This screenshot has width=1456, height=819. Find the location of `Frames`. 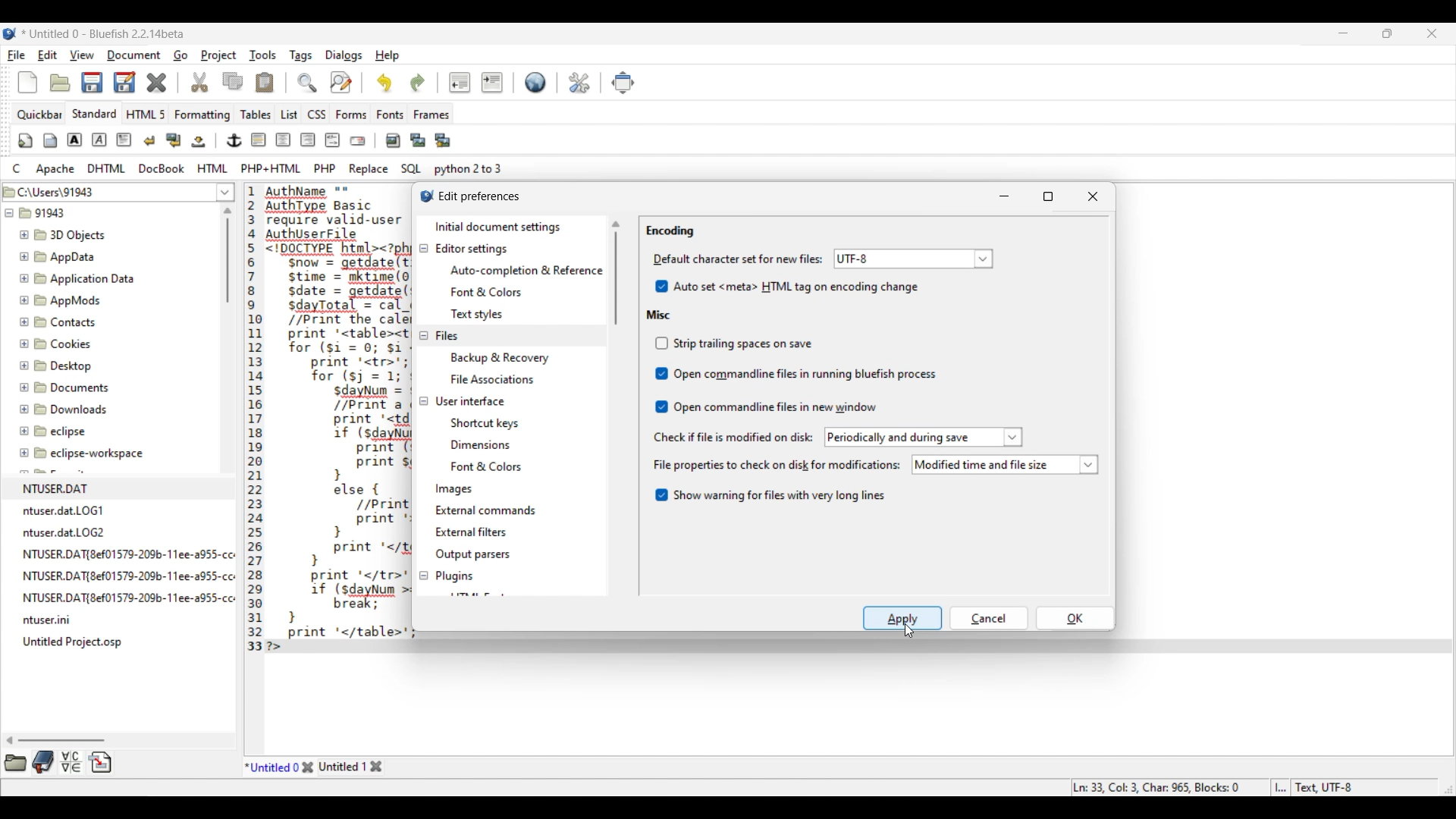

Frames is located at coordinates (432, 115).